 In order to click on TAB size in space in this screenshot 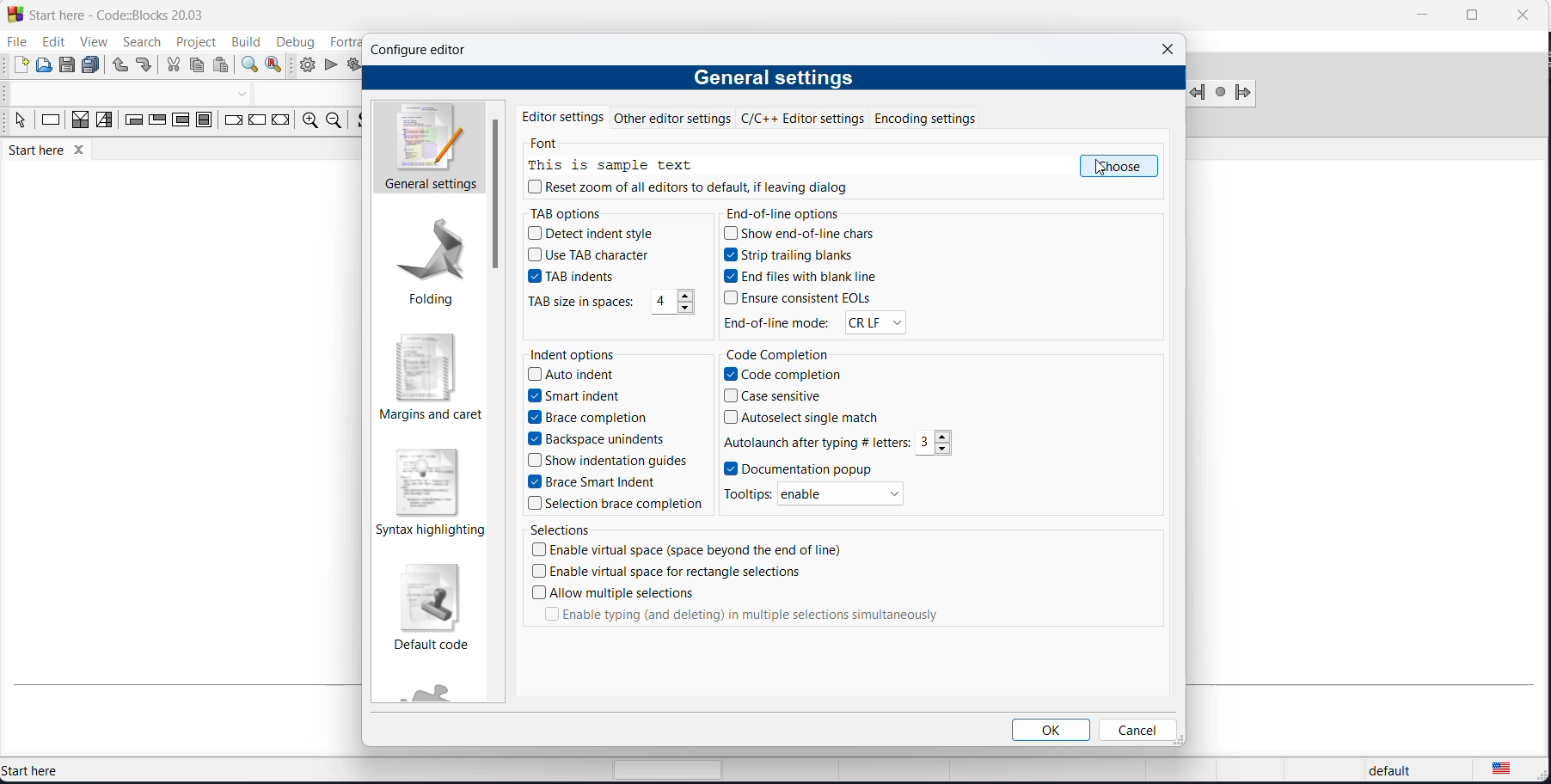, I will do `click(581, 303)`.